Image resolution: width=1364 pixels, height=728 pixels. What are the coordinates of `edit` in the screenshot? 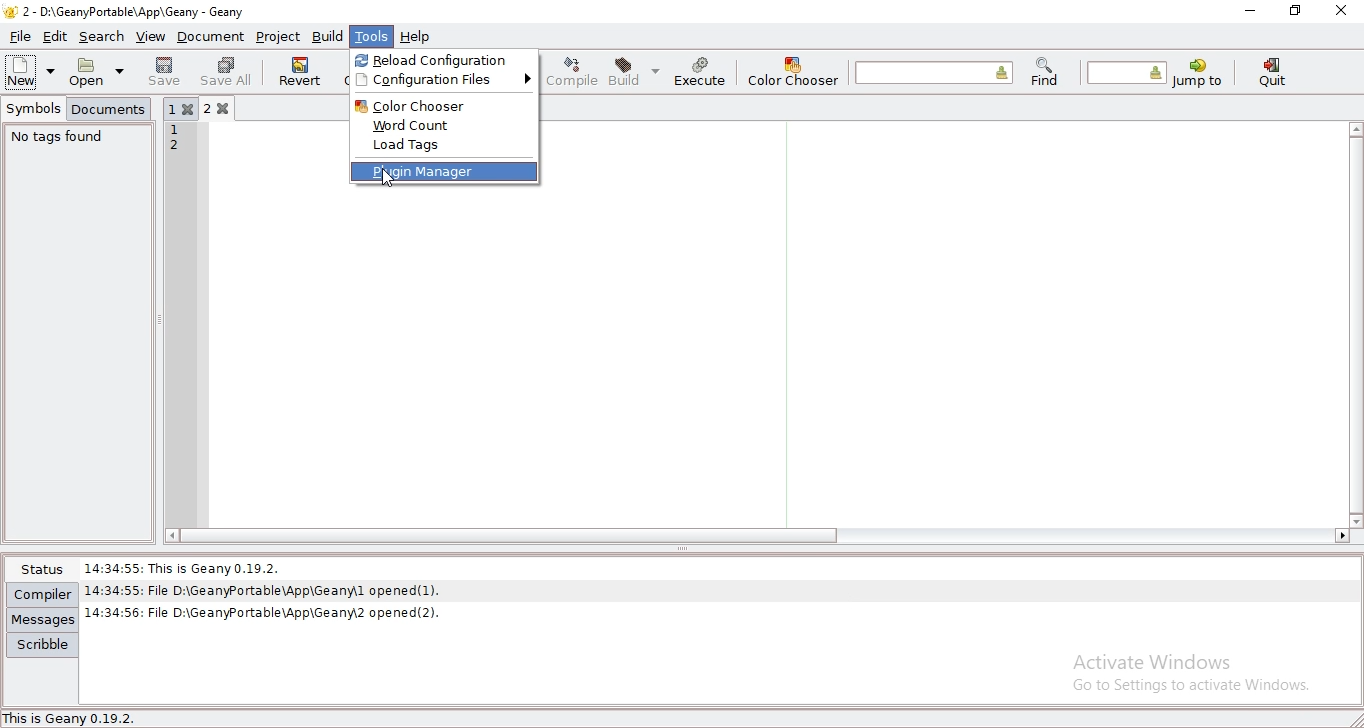 It's located at (57, 35).